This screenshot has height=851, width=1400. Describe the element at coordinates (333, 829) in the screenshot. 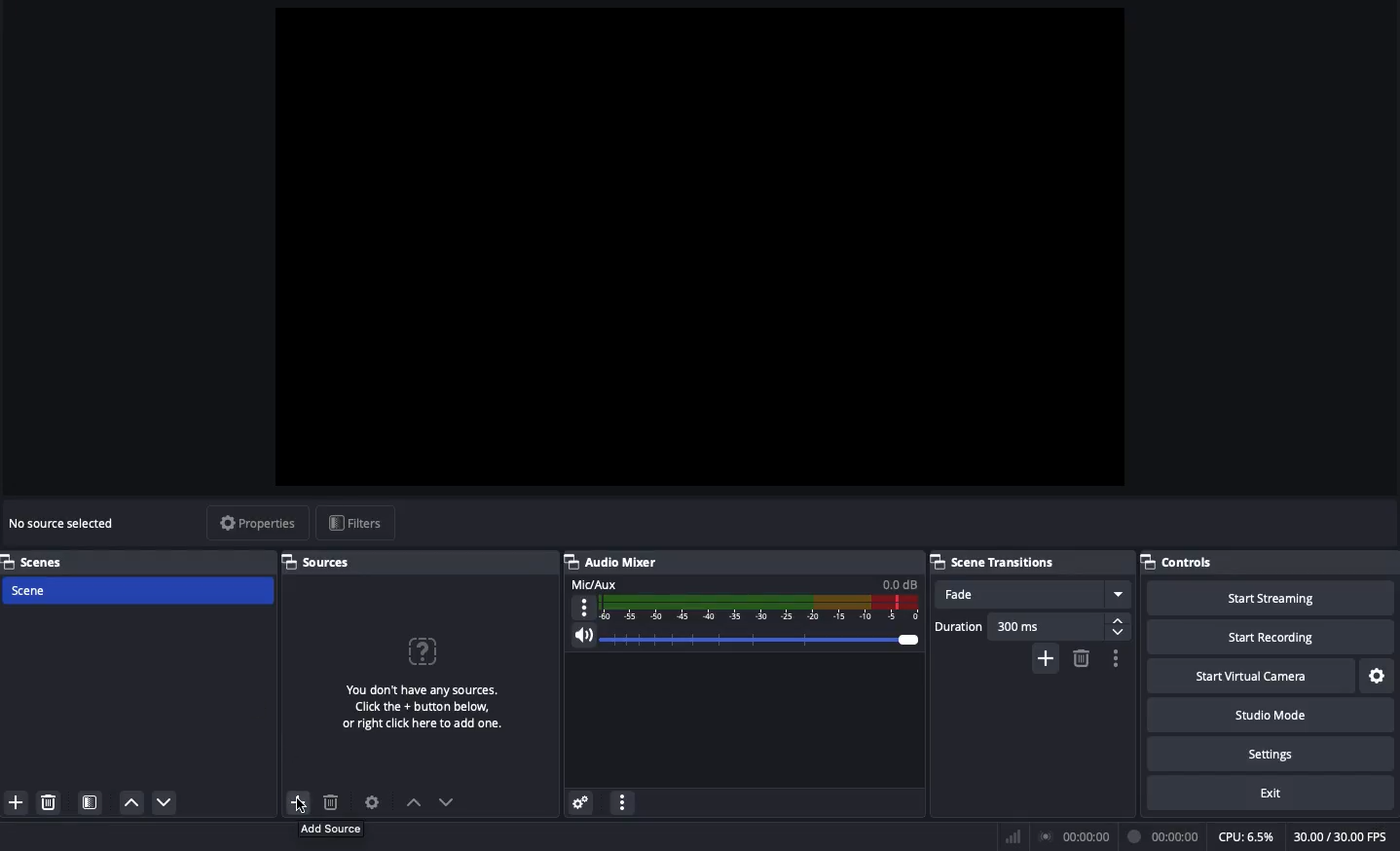

I see `ADD SOURCE` at that location.